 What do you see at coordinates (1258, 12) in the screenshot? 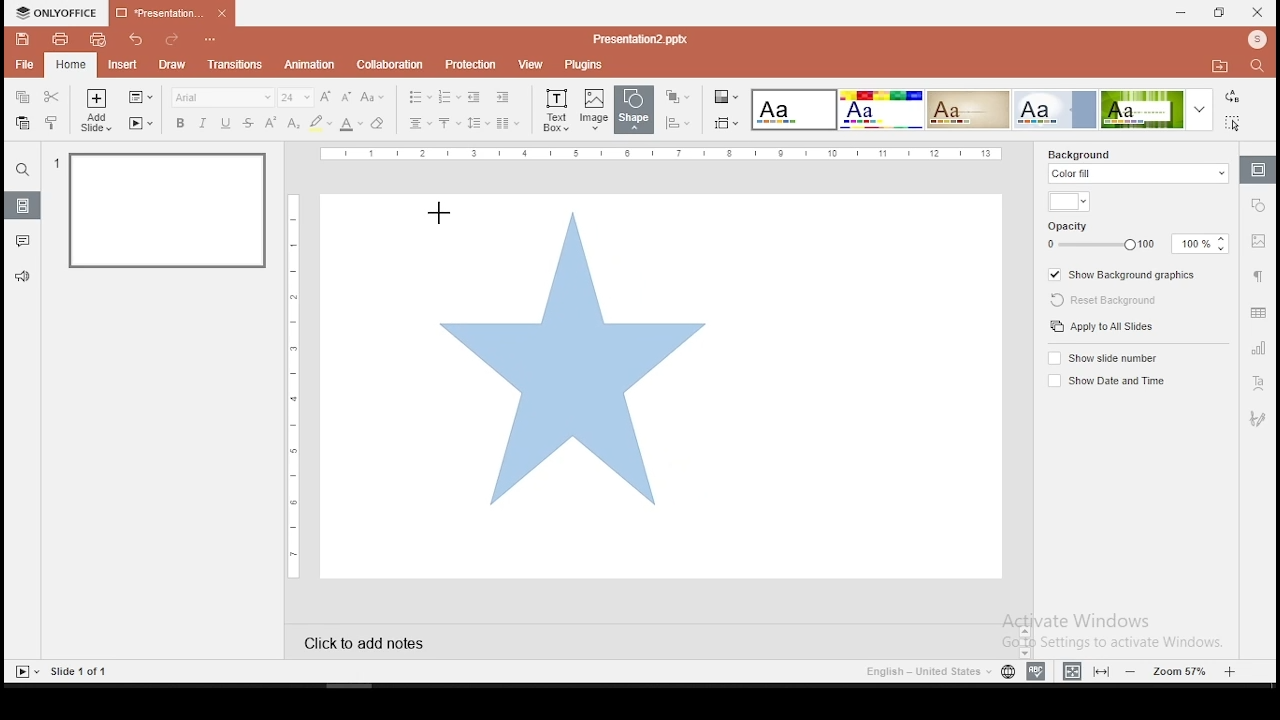
I see `close window` at bounding box center [1258, 12].